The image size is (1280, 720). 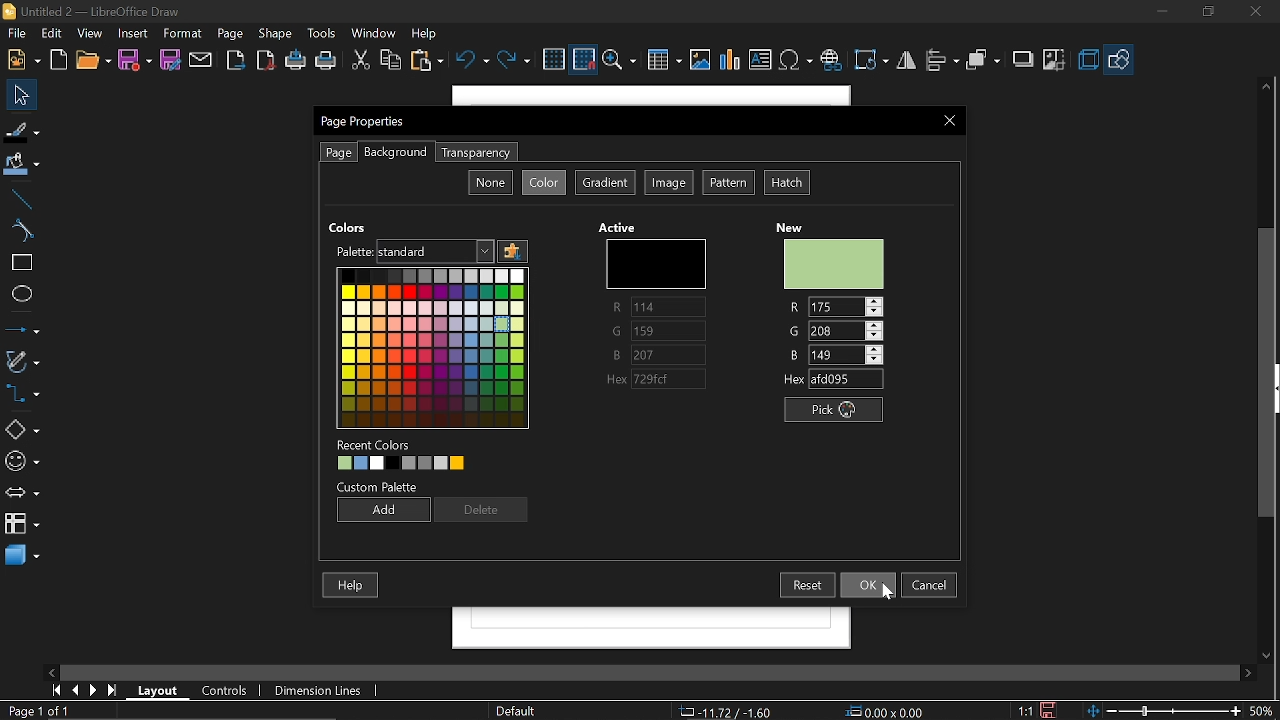 What do you see at coordinates (426, 33) in the screenshot?
I see `Help` at bounding box center [426, 33].